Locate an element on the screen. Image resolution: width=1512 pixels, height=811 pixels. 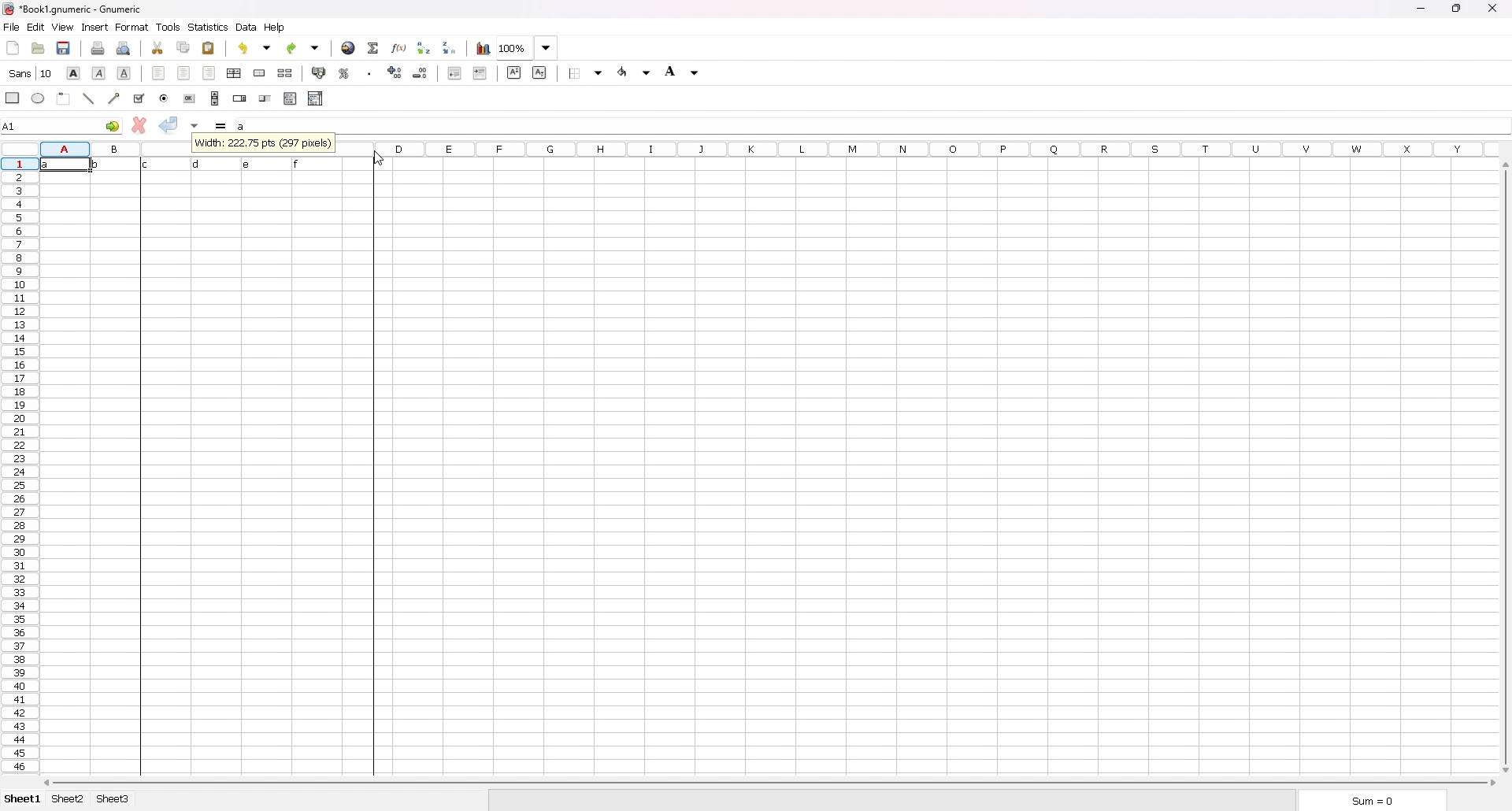
merge cells is located at coordinates (261, 72).